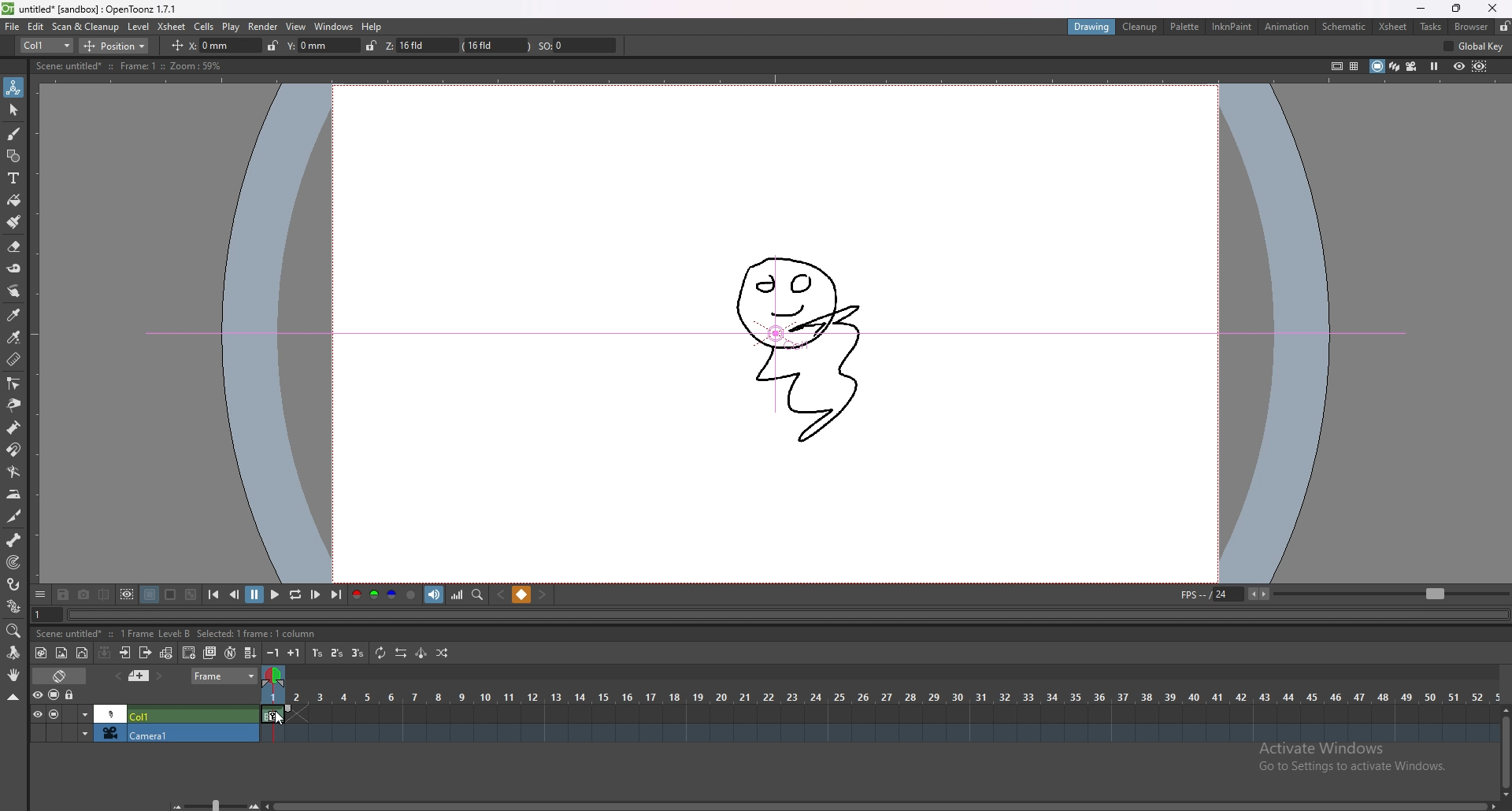  Describe the element at coordinates (421, 654) in the screenshot. I see `swing` at that location.